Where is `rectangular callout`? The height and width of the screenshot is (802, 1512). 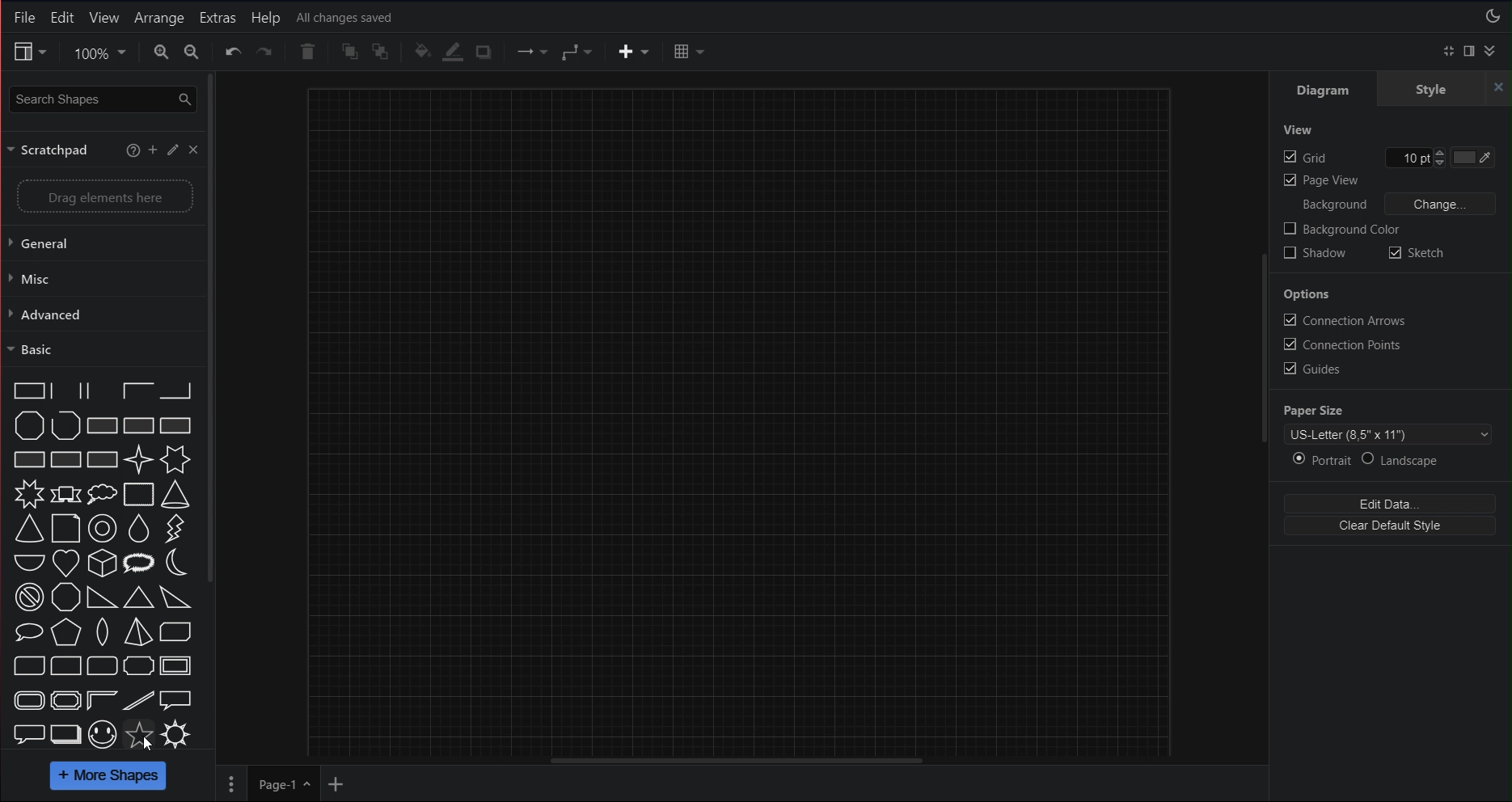 rectangular callout is located at coordinates (176, 700).